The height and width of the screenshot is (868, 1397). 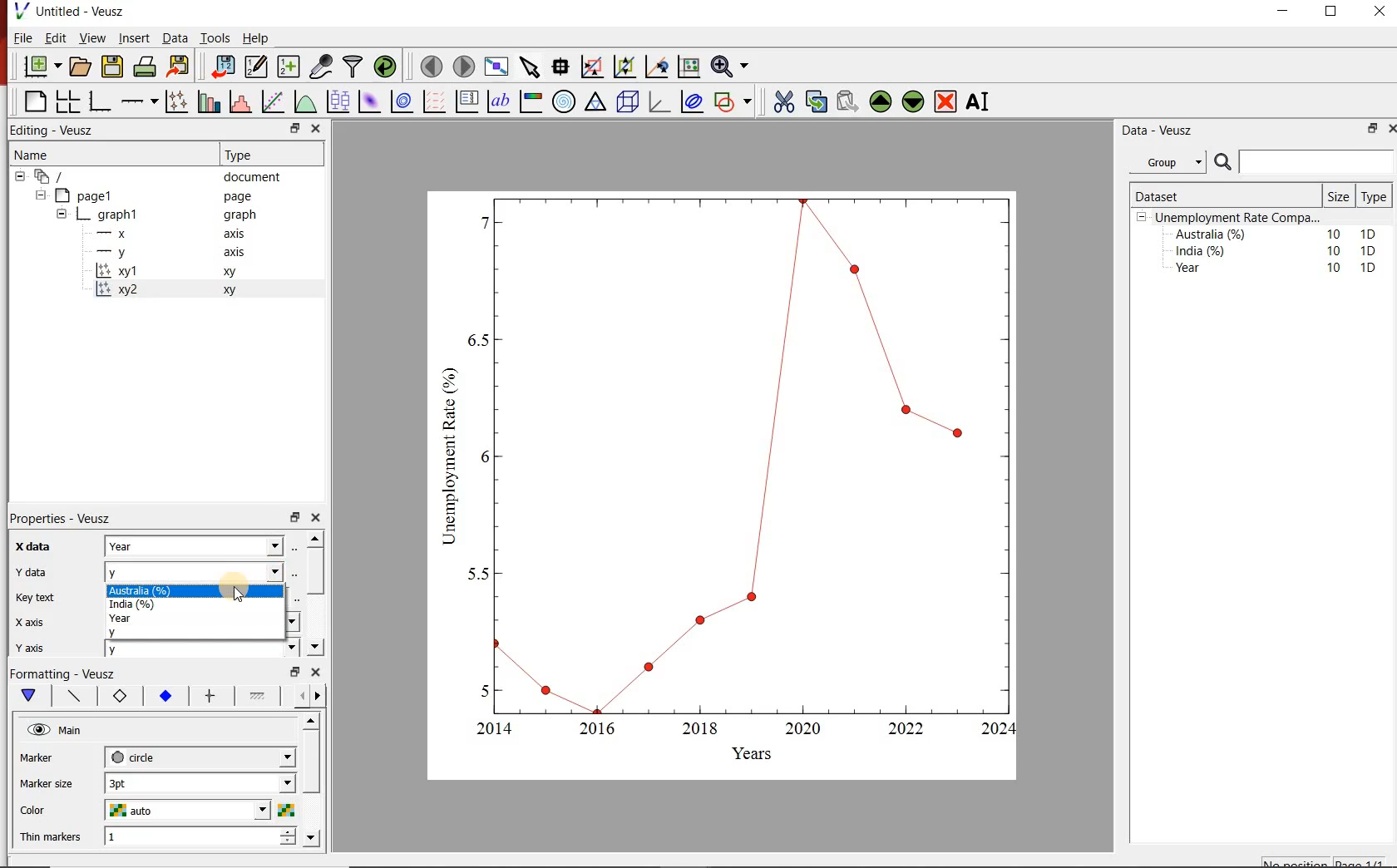 I want to click on y, so click(x=198, y=649).